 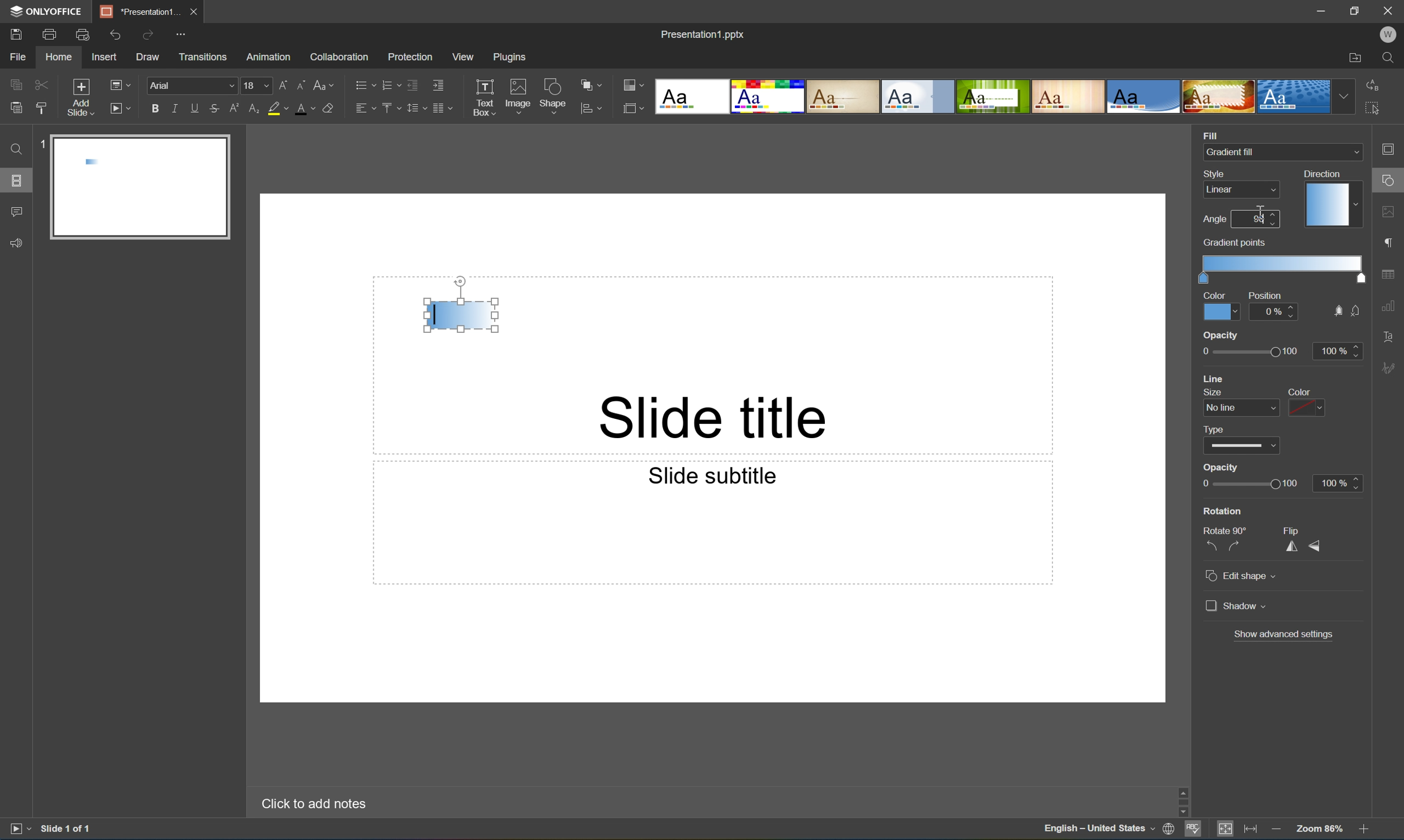 I want to click on Protection, so click(x=409, y=56).